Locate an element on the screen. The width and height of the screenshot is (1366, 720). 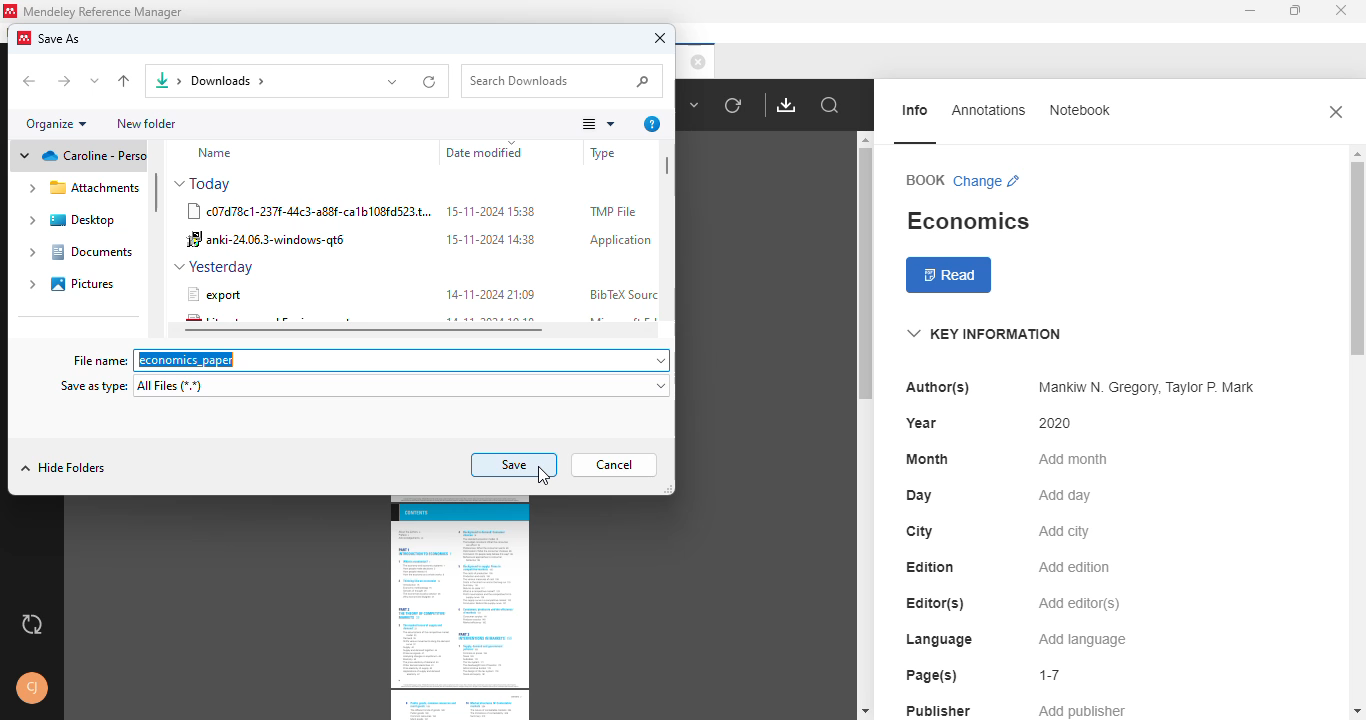
downloads is located at coordinates (223, 81).